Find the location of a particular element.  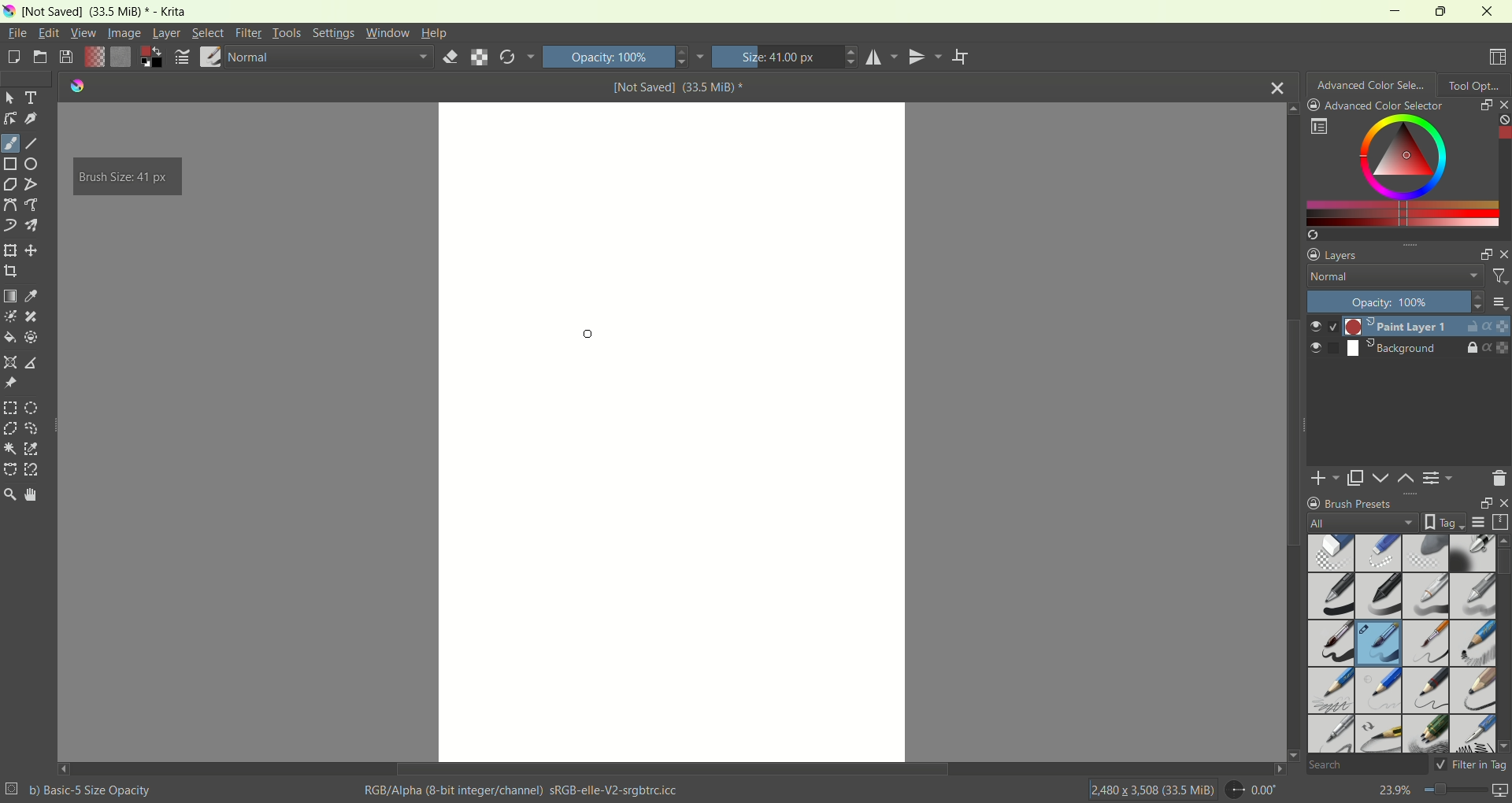

edit shapes is located at coordinates (10, 119).